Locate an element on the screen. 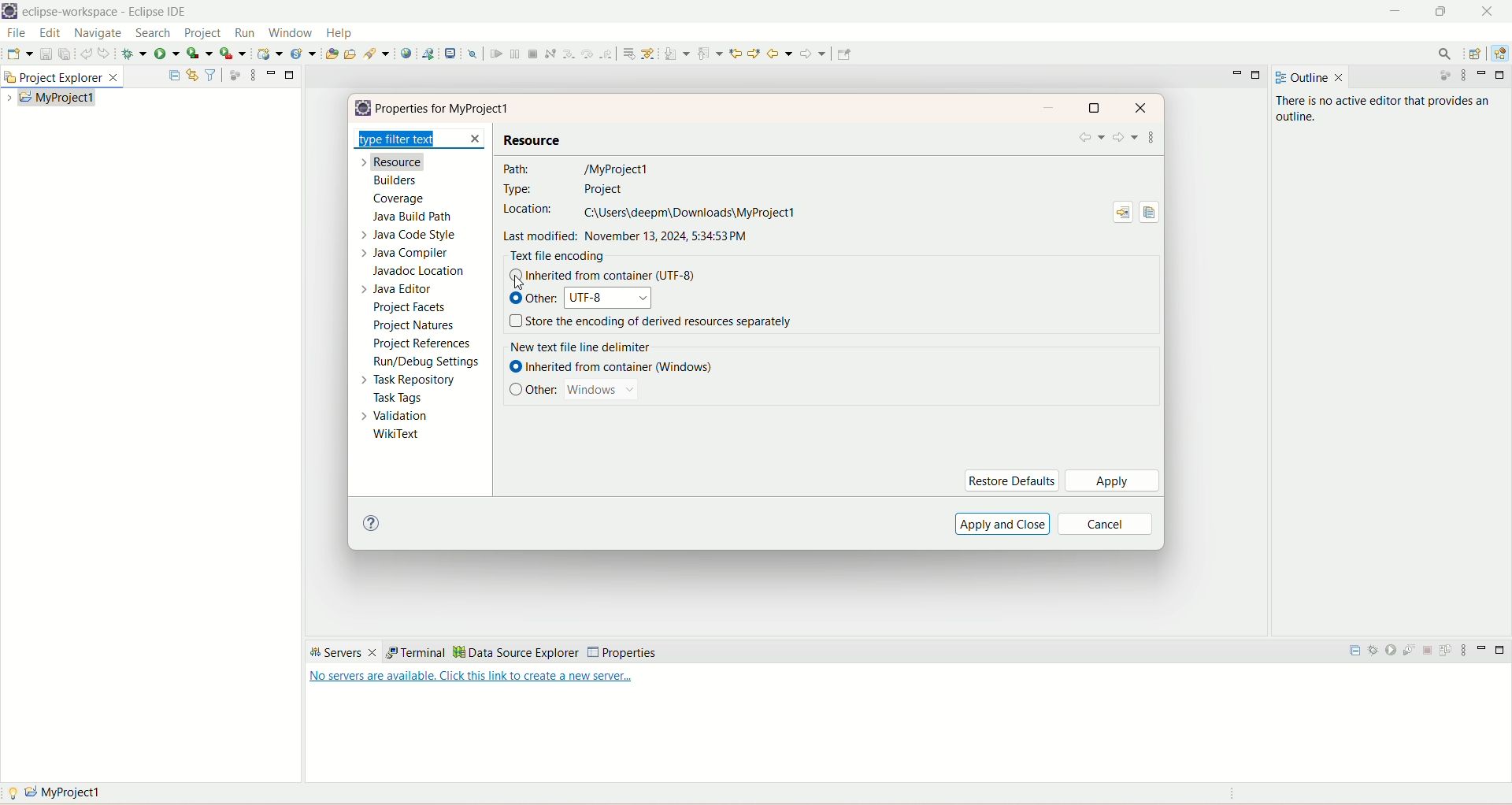 Image resolution: width=1512 pixels, height=805 pixels. suspend is located at coordinates (513, 54).